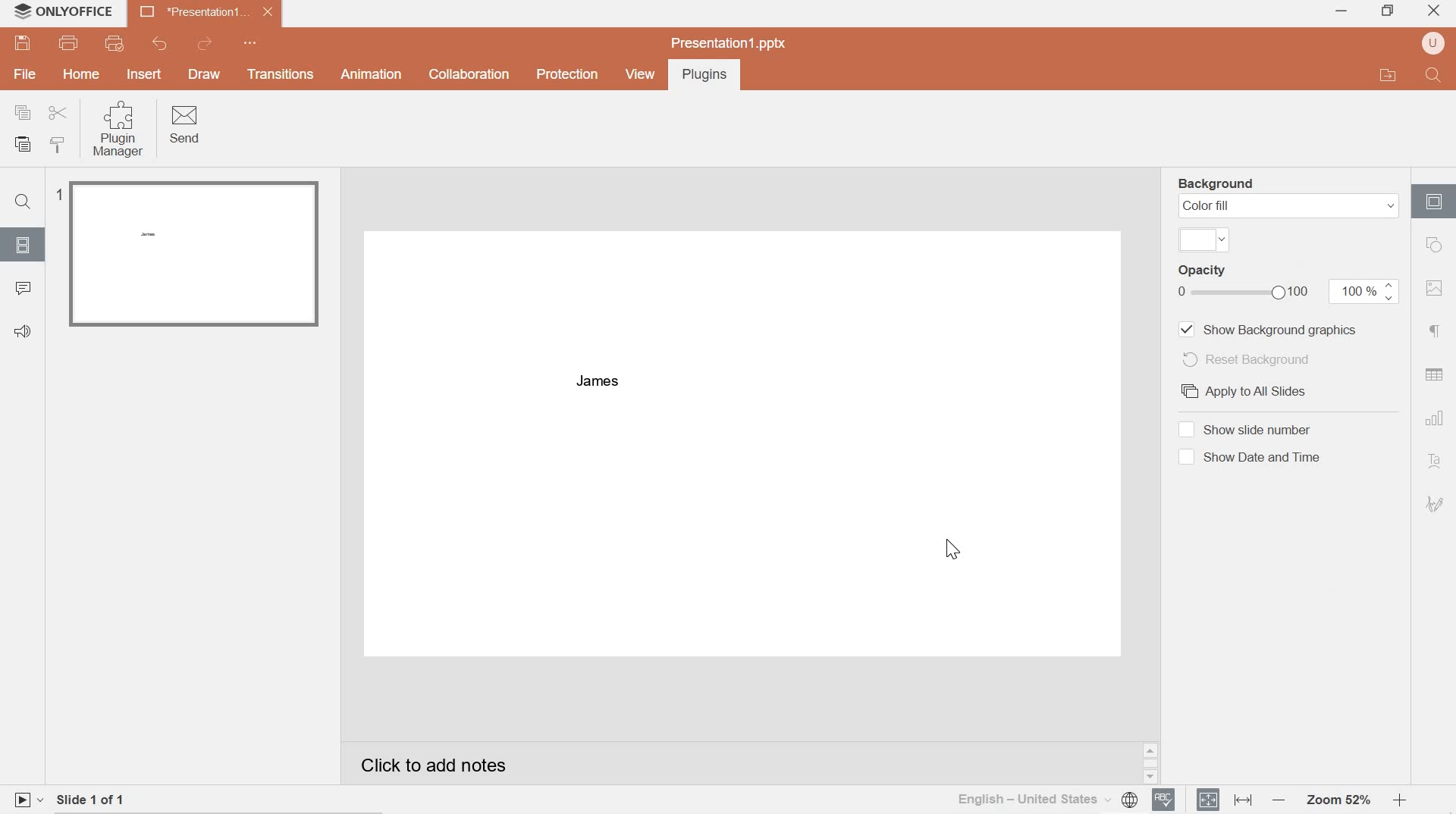  Describe the element at coordinates (1435, 374) in the screenshot. I see `table` at that location.